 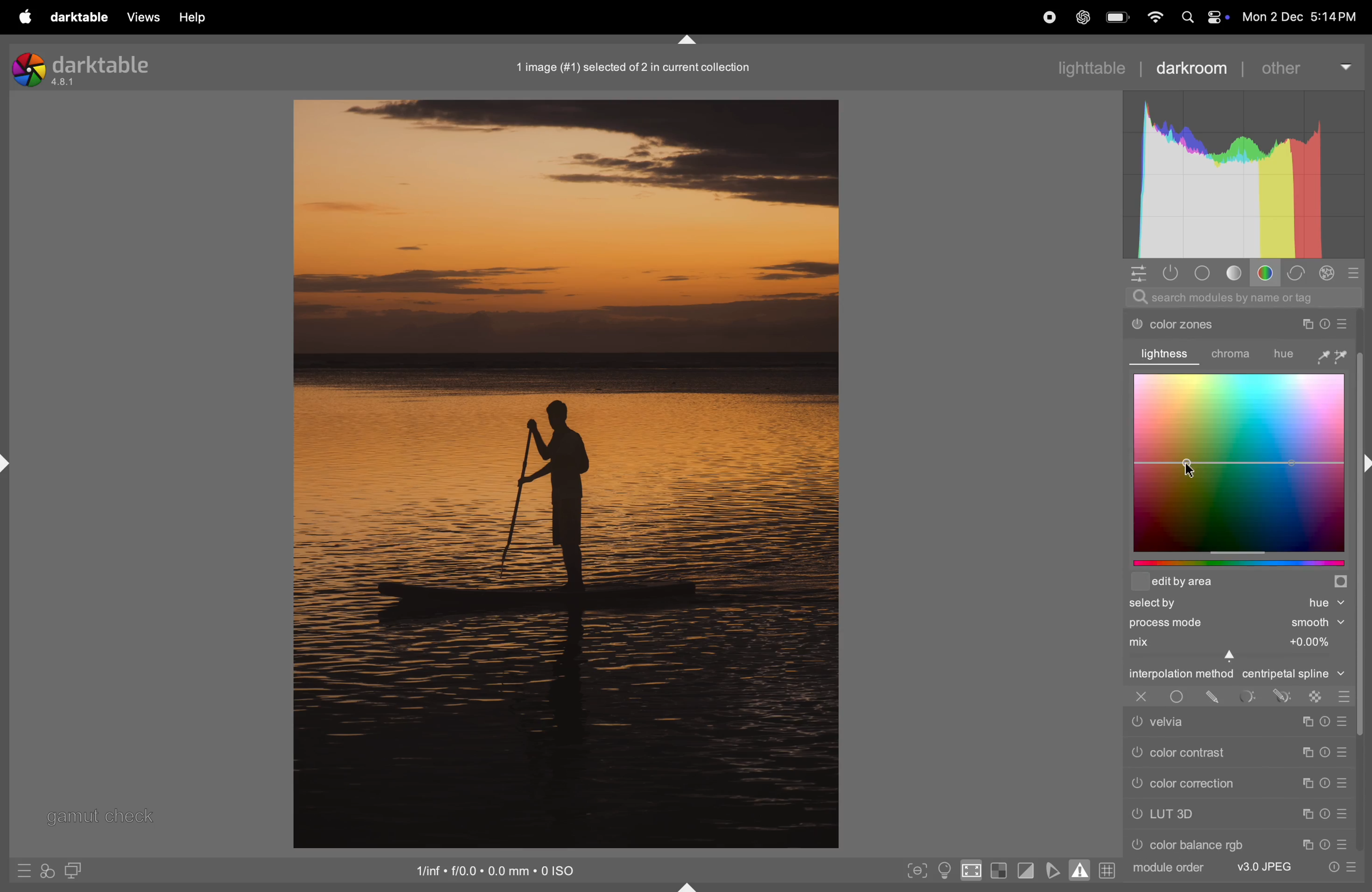 What do you see at coordinates (1203, 783) in the screenshot?
I see `color correction` at bounding box center [1203, 783].